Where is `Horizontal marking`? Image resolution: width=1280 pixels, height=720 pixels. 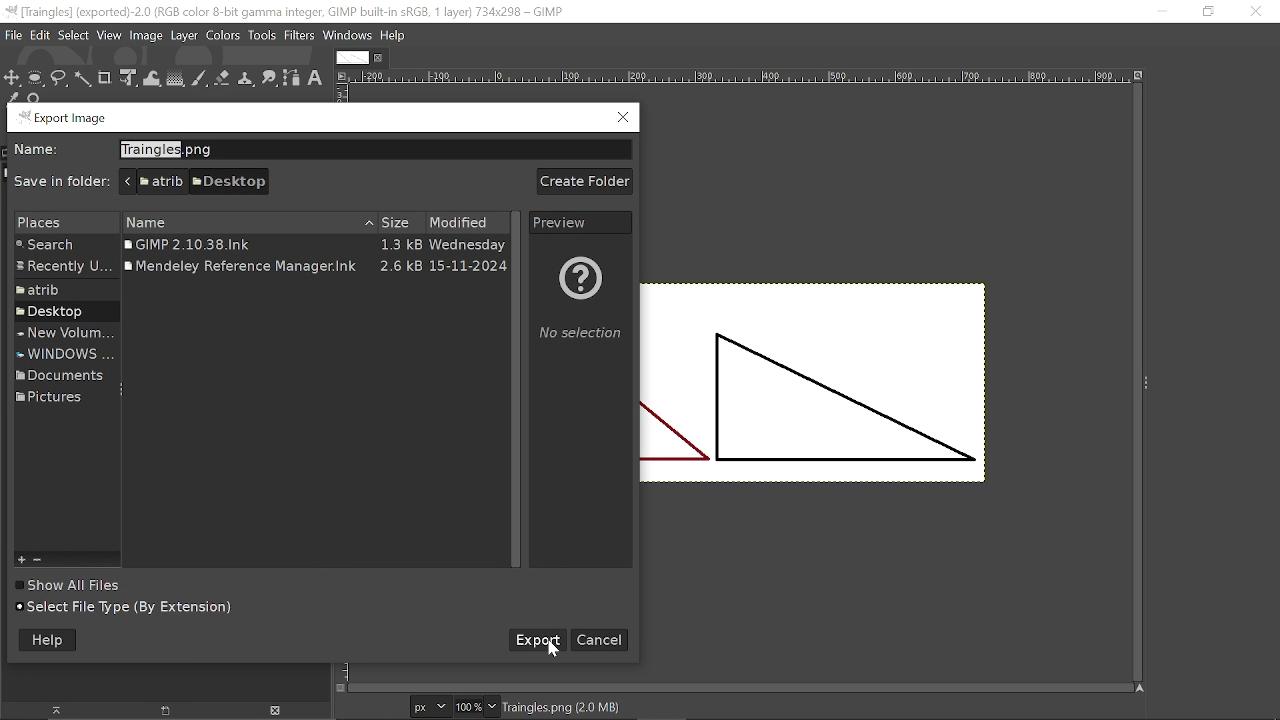
Horizontal marking is located at coordinates (738, 77).